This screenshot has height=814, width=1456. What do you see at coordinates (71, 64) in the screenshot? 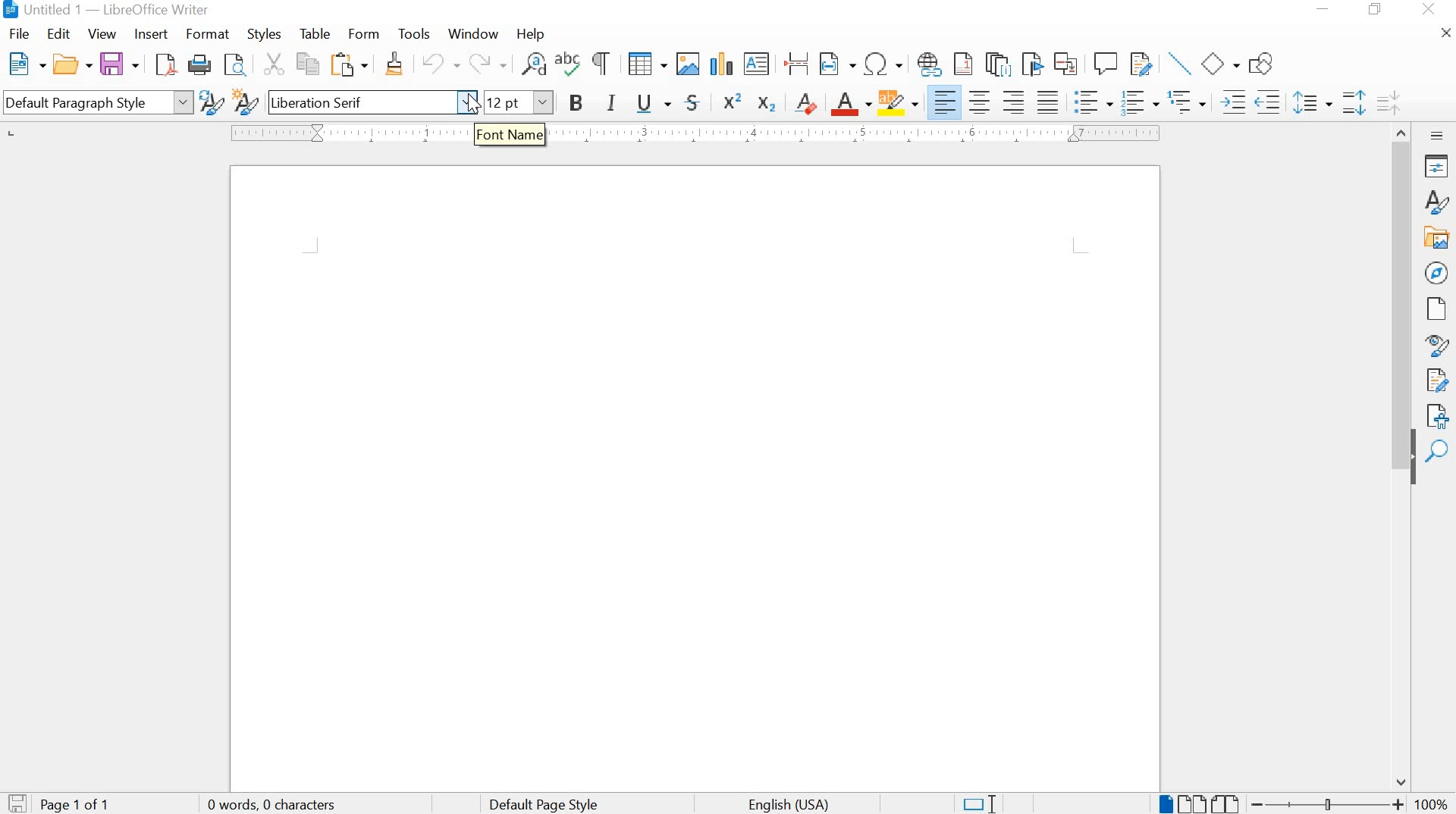
I see `OPEN` at bounding box center [71, 64].